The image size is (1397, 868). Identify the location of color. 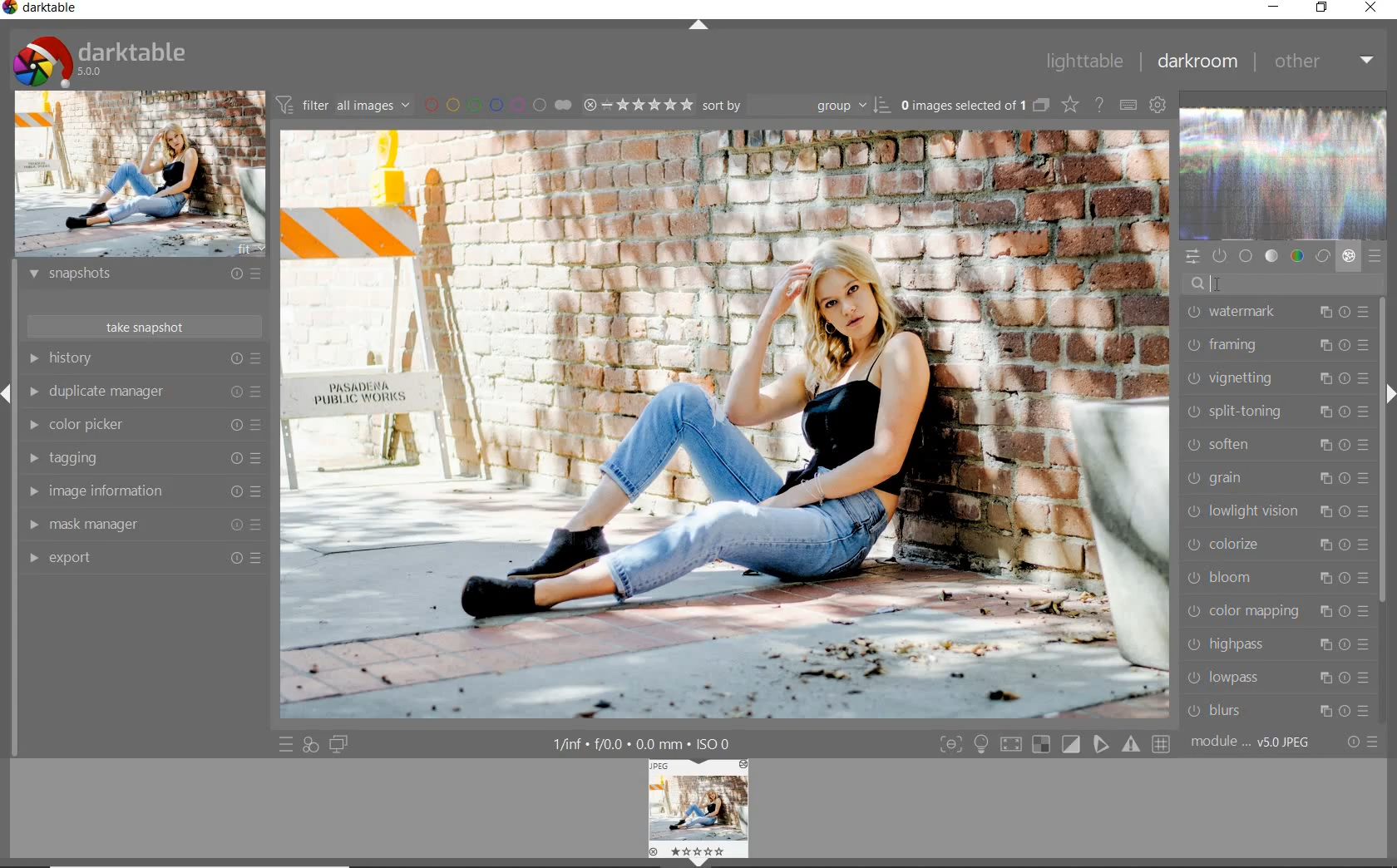
(1296, 257).